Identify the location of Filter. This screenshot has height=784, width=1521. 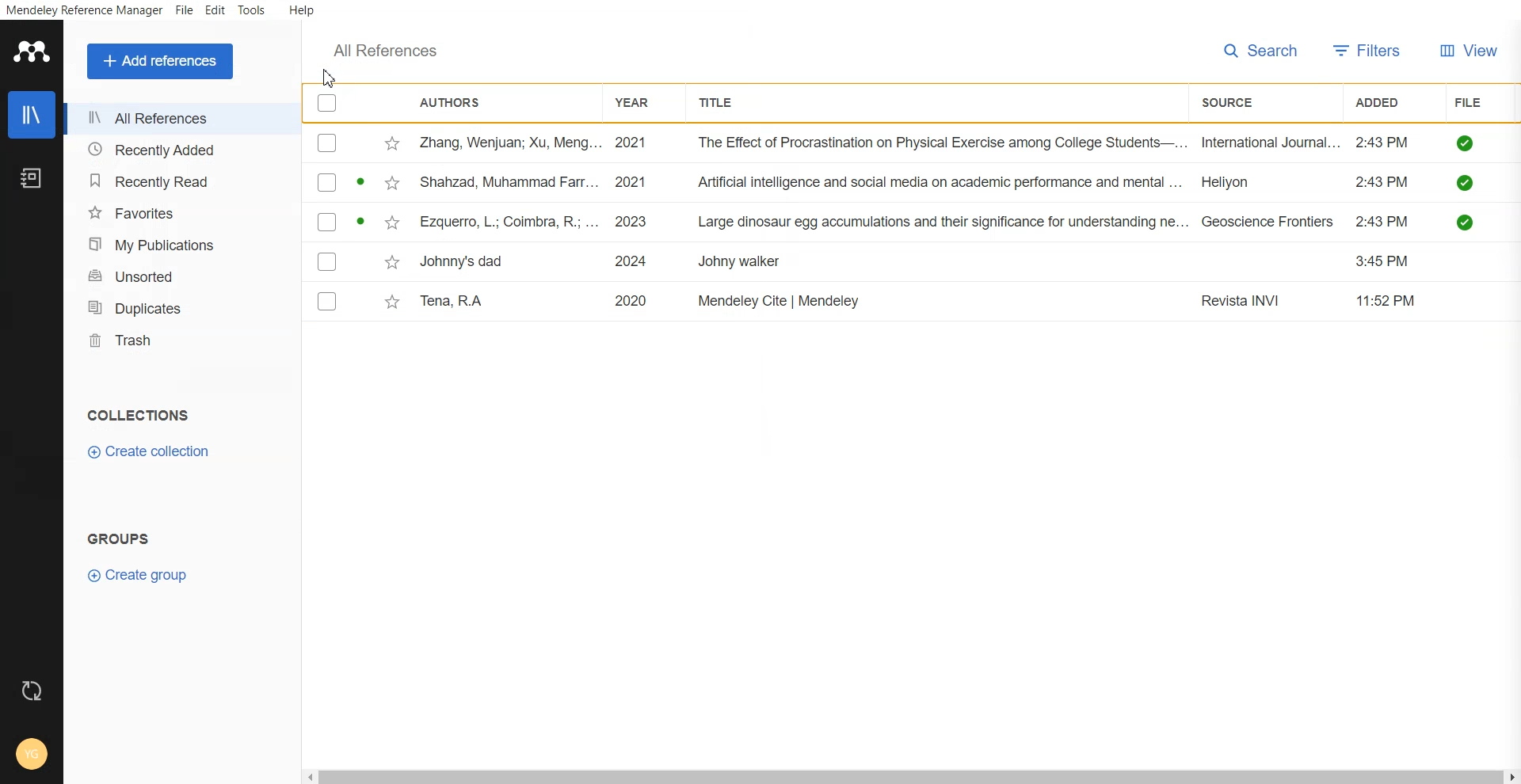
(1368, 51).